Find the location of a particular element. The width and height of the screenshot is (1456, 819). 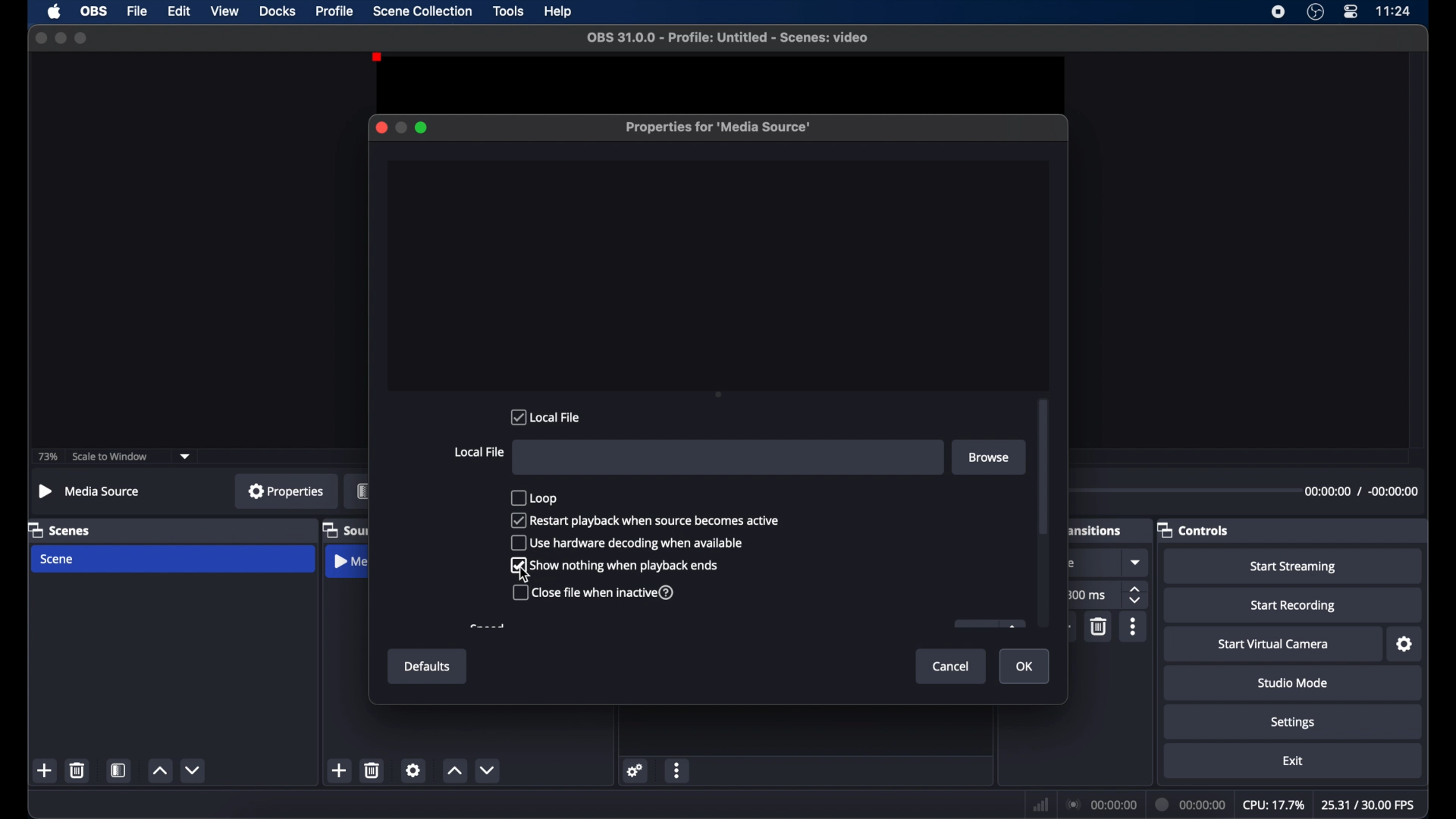

increment is located at coordinates (160, 772).